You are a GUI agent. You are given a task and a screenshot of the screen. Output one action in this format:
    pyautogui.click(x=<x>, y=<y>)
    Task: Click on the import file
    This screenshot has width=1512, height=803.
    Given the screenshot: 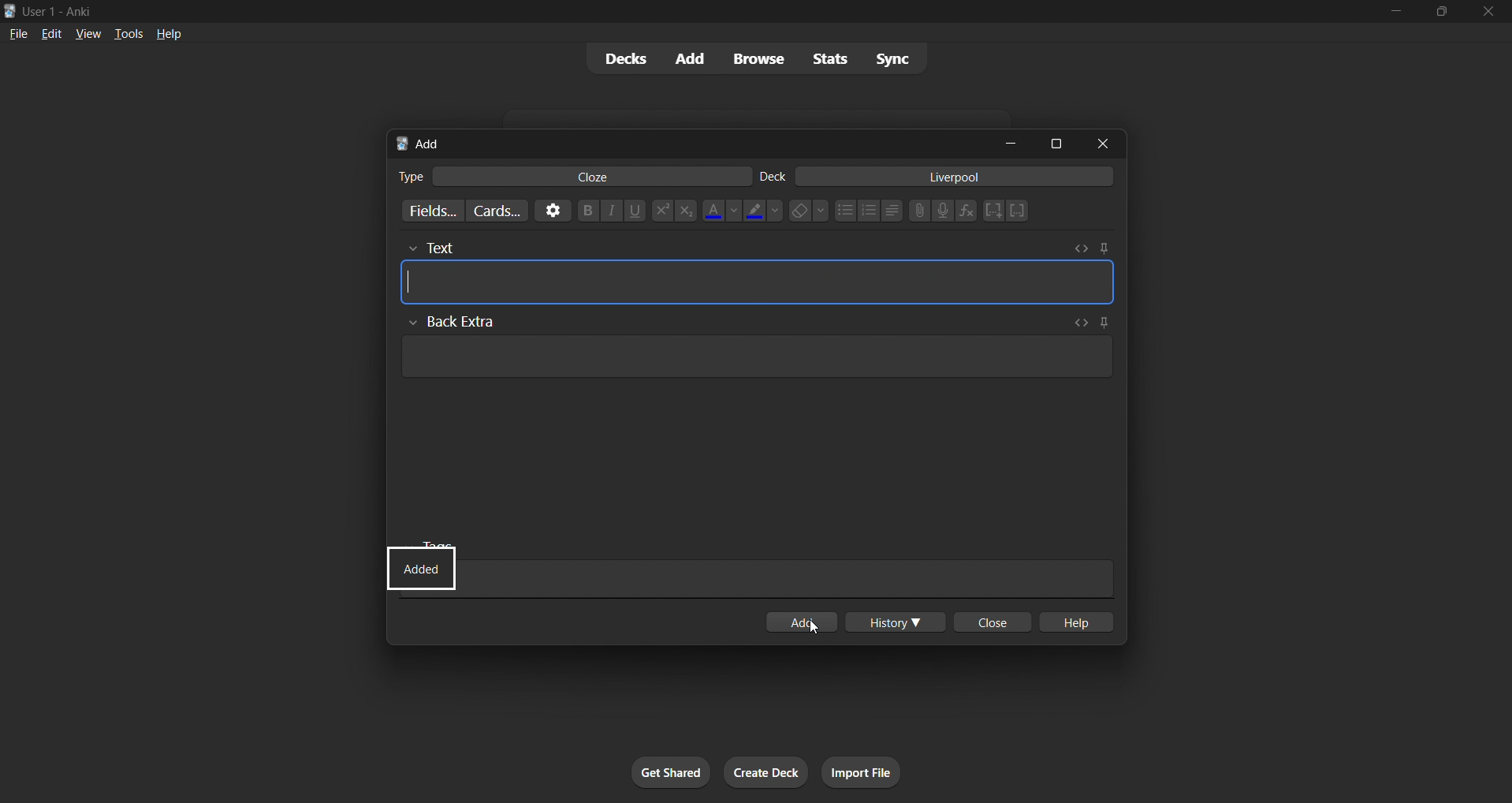 What is the action you would take?
    pyautogui.click(x=862, y=771)
    